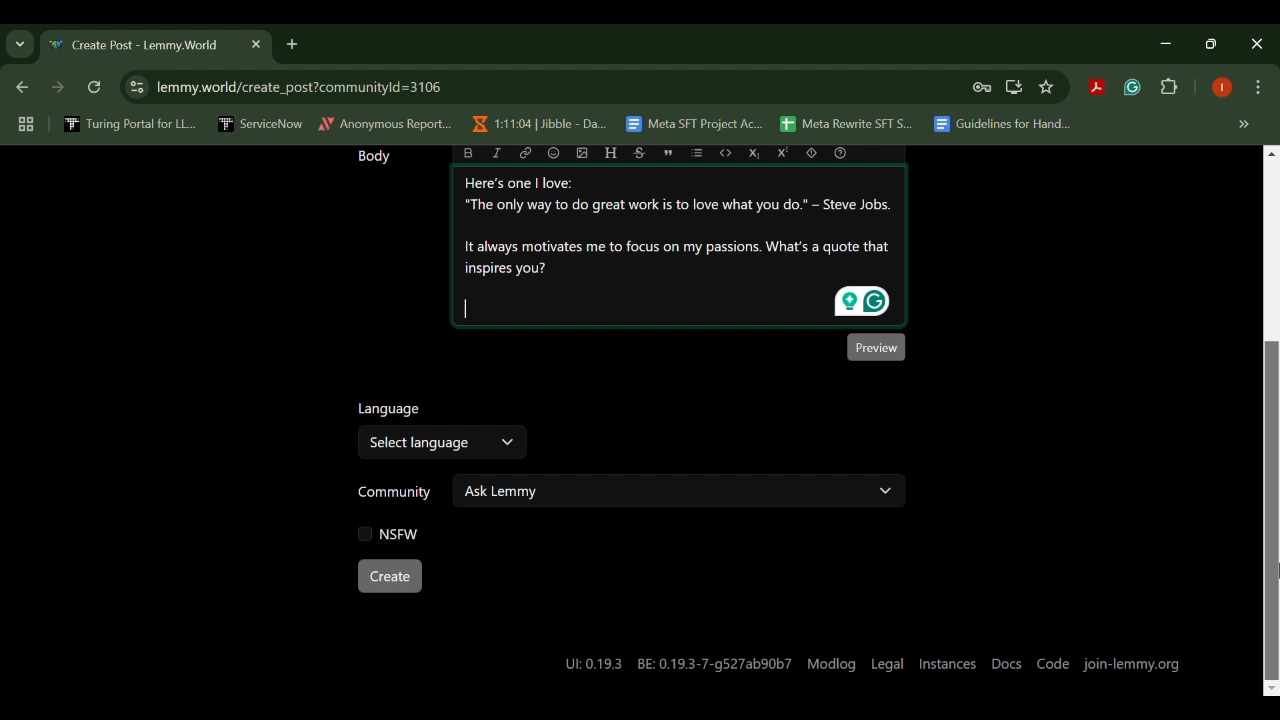  What do you see at coordinates (554, 152) in the screenshot?
I see `emoji` at bounding box center [554, 152].